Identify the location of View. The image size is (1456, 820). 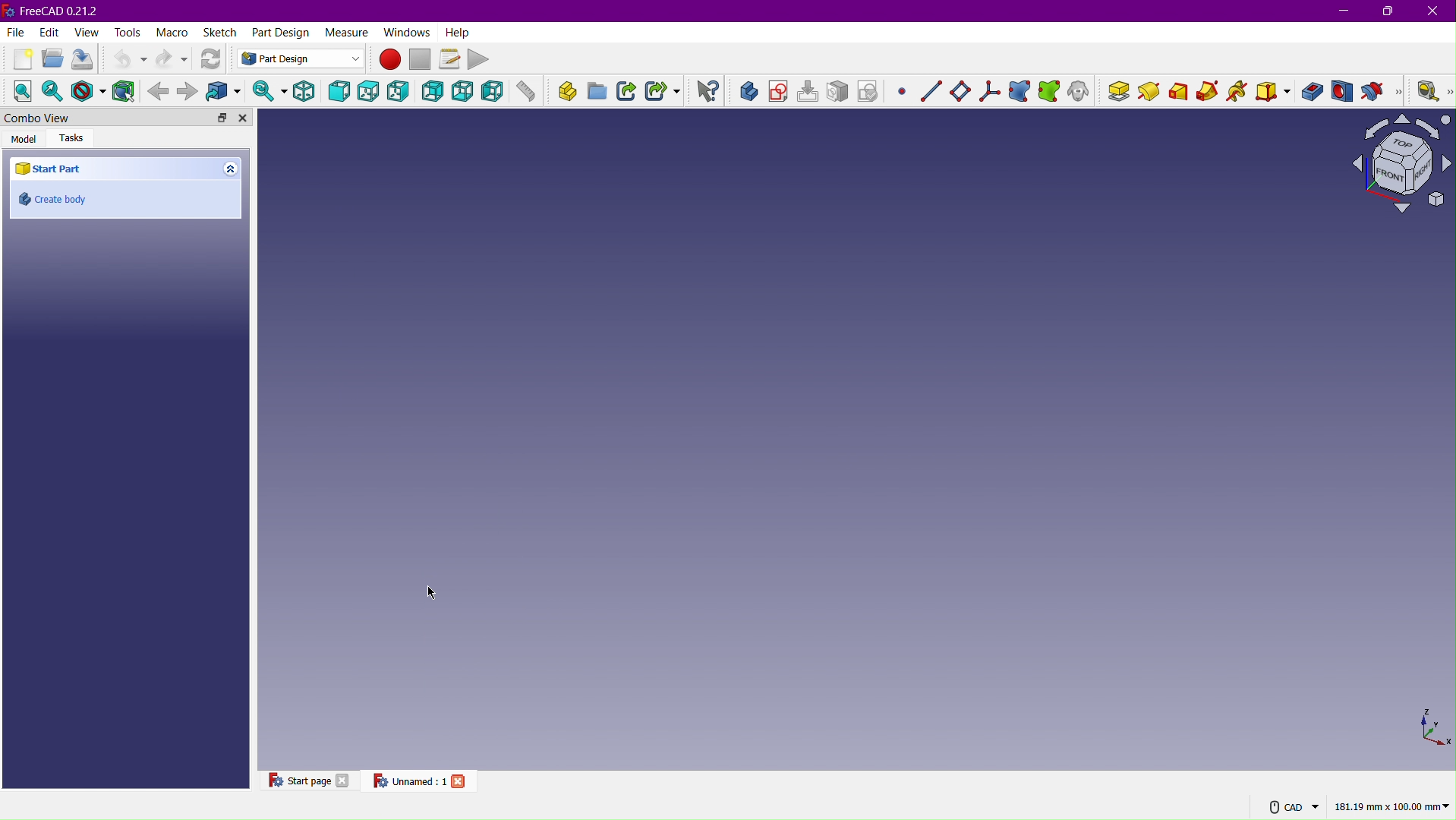
(89, 31).